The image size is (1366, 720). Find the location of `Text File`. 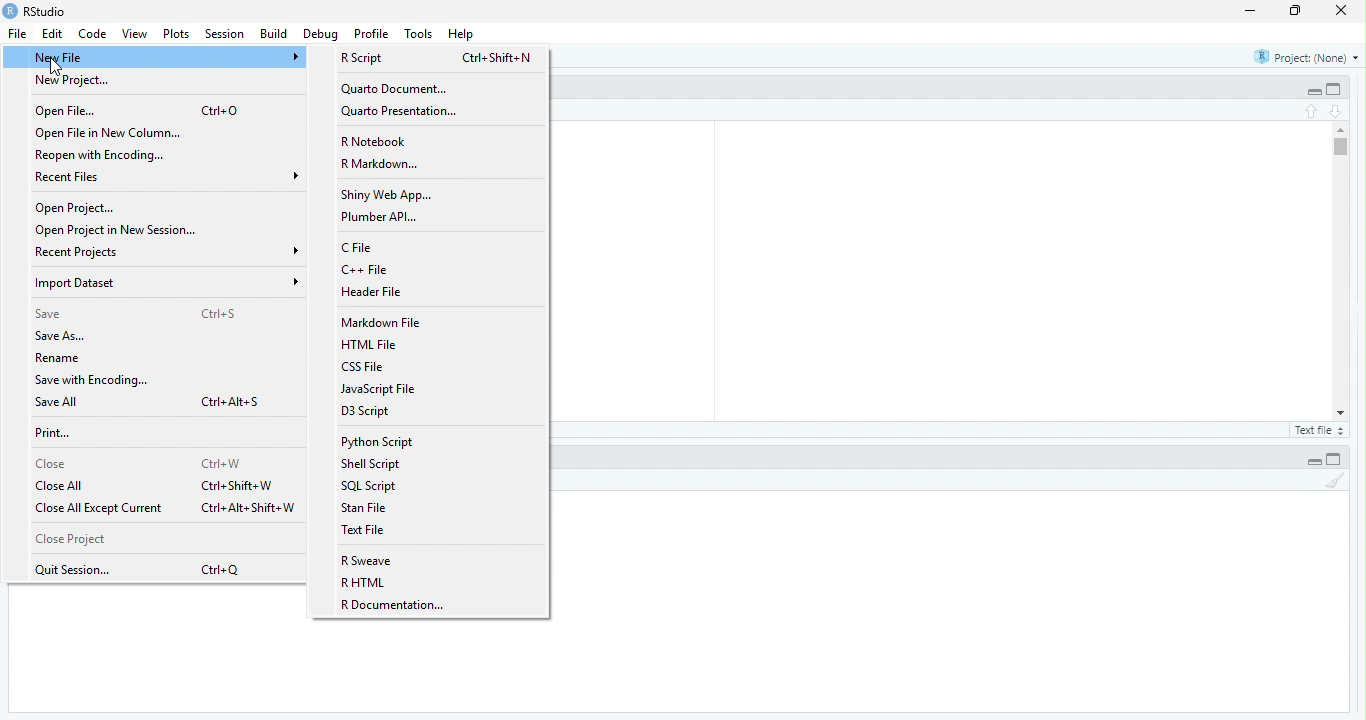

Text File is located at coordinates (367, 530).